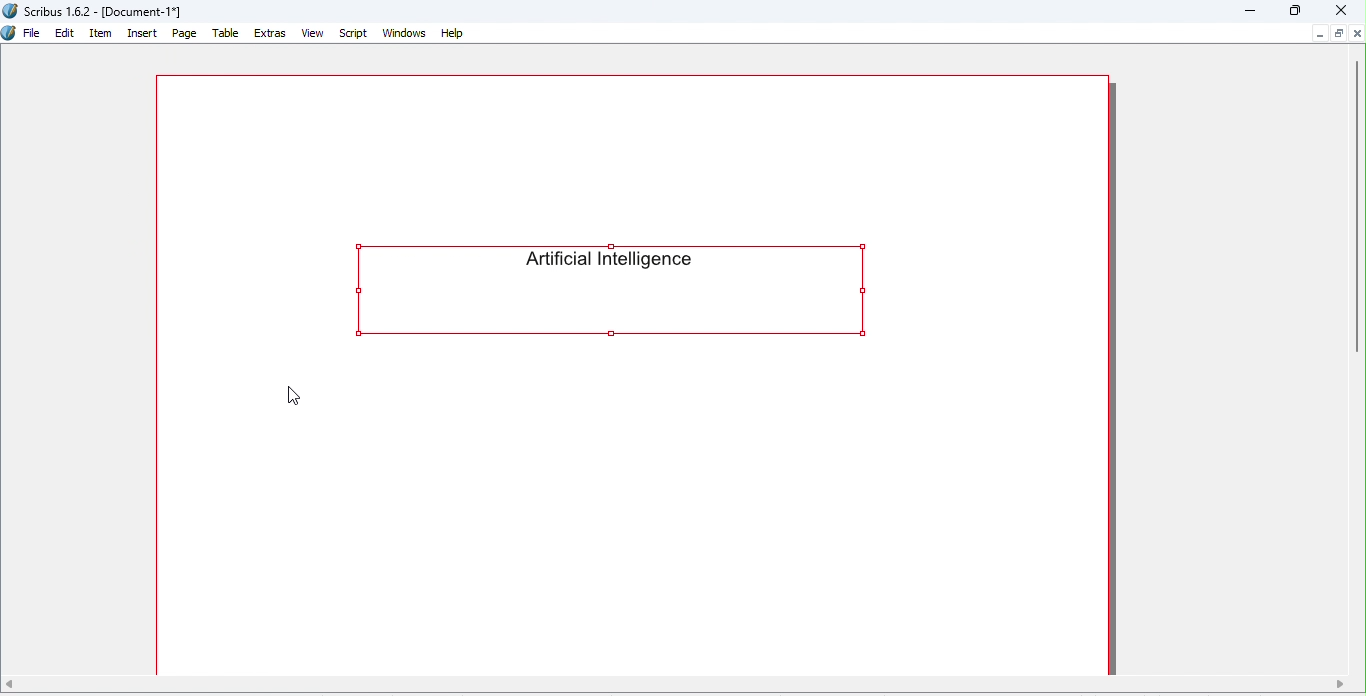  What do you see at coordinates (354, 33) in the screenshot?
I see `Script` at bounding box center [354, 33].